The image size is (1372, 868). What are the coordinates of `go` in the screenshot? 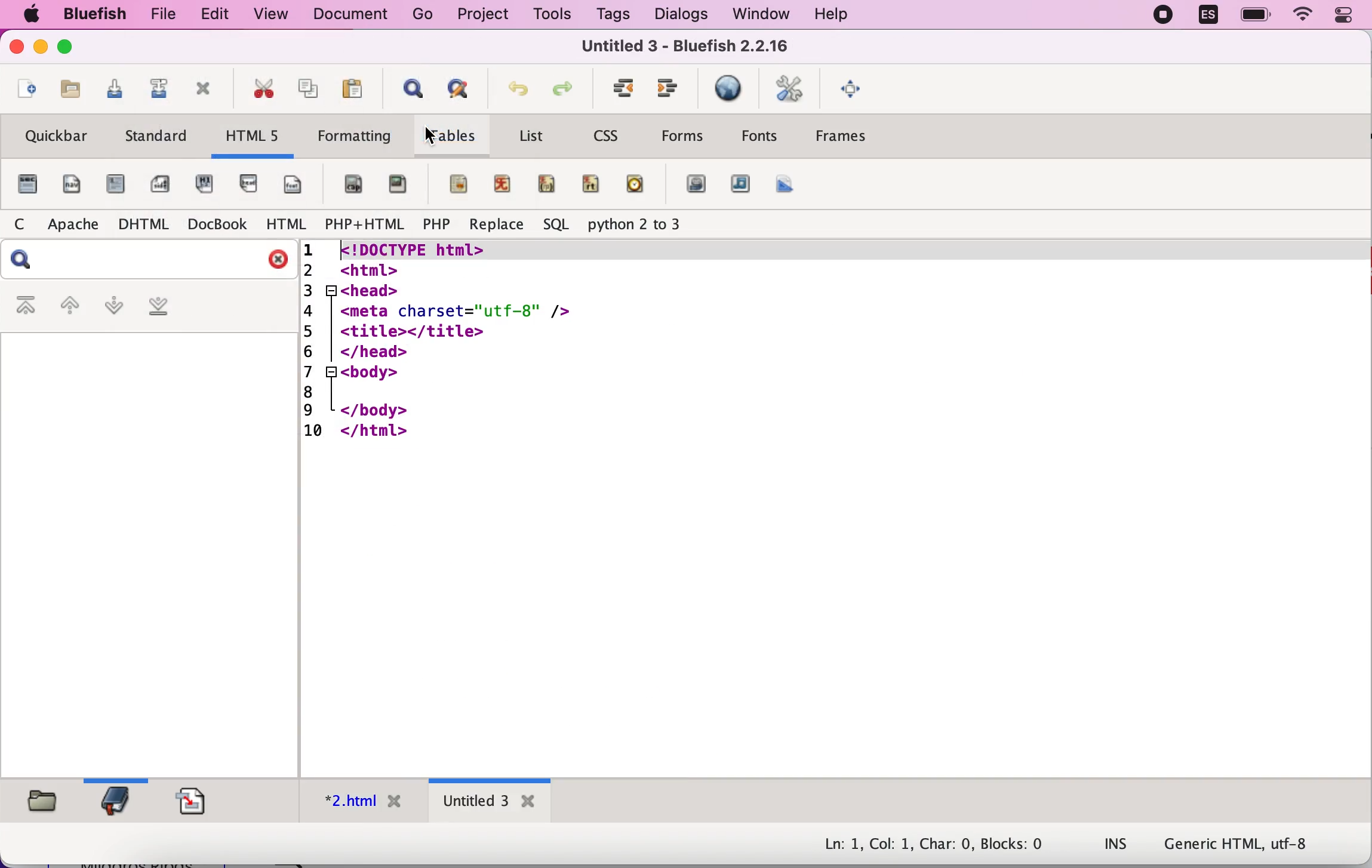 It's located at (419, 14).